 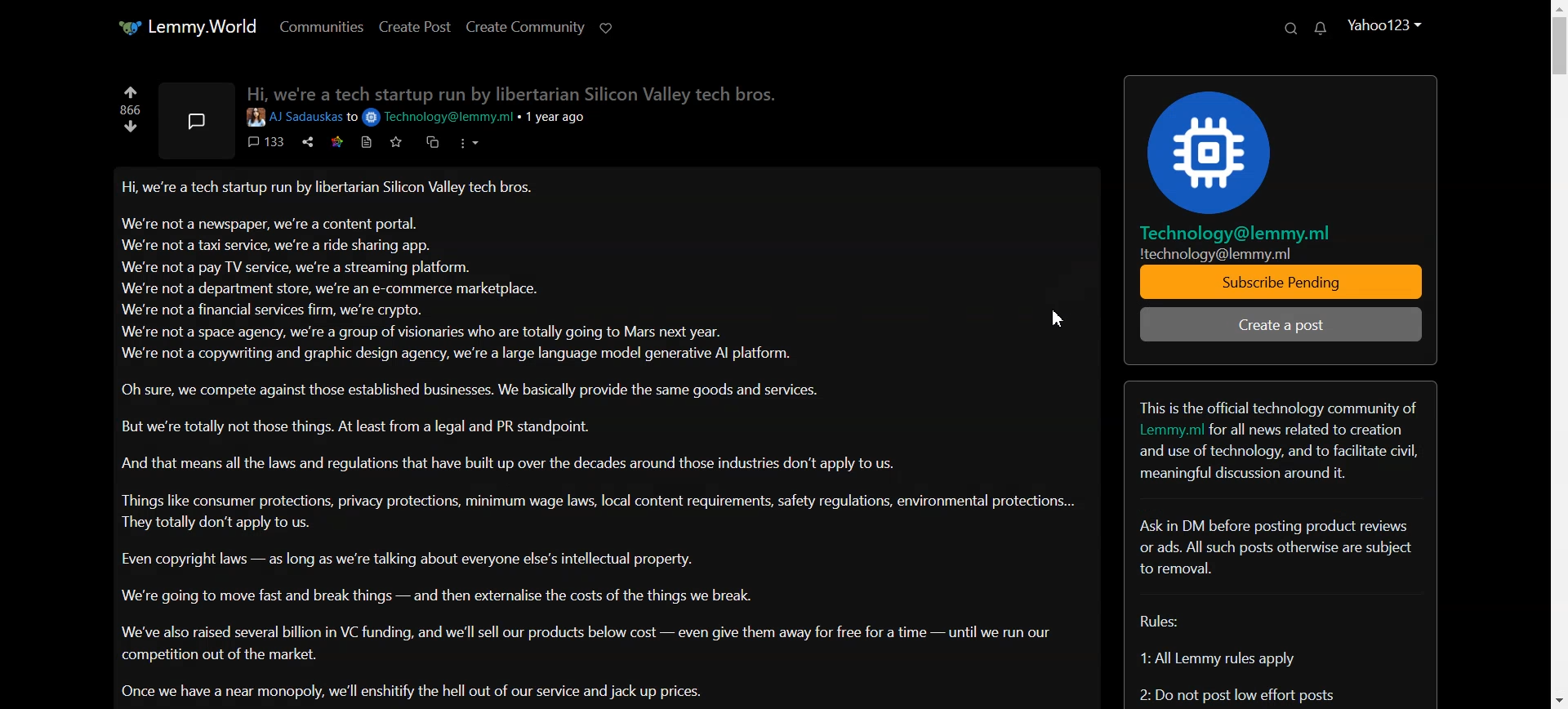 I want to click on Technology@lemmy.ml, so click(x=440, y=118).